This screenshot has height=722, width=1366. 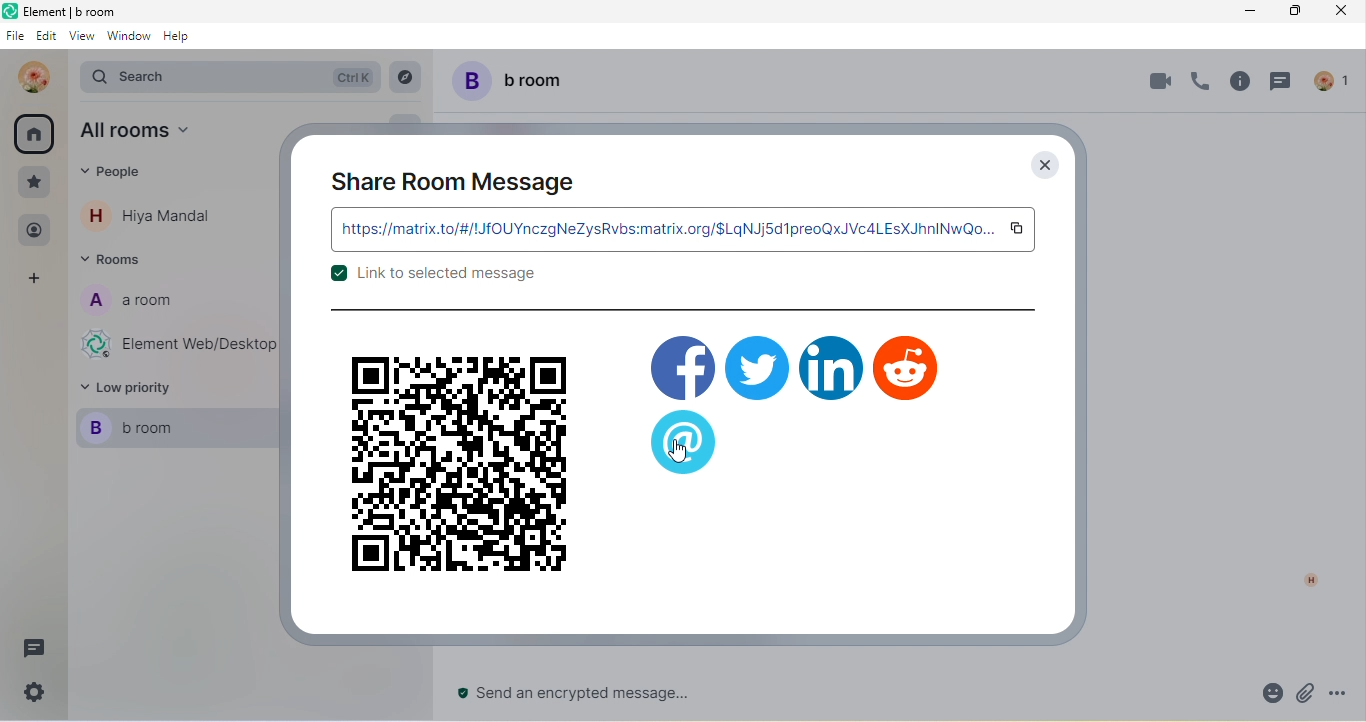 What do you see at coordinates (37, 280) in the screenshot?
I see `add` at bounding box center [37, 280].